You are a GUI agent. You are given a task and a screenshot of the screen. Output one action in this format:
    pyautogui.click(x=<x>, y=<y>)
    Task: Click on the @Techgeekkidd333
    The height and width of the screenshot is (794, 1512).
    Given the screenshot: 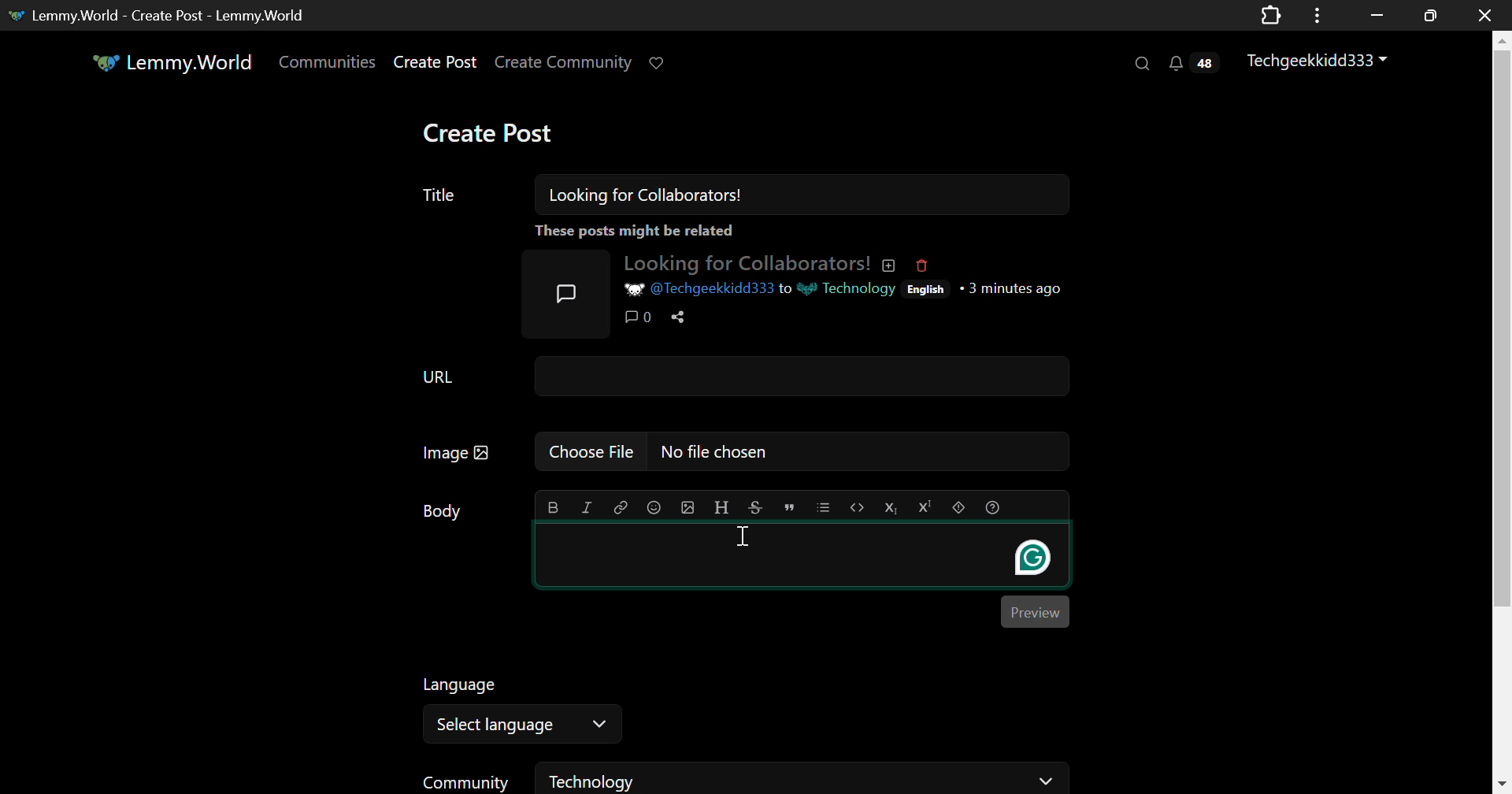 What is the action you would take?
    pyautogui.click(x=698, y=291)
    